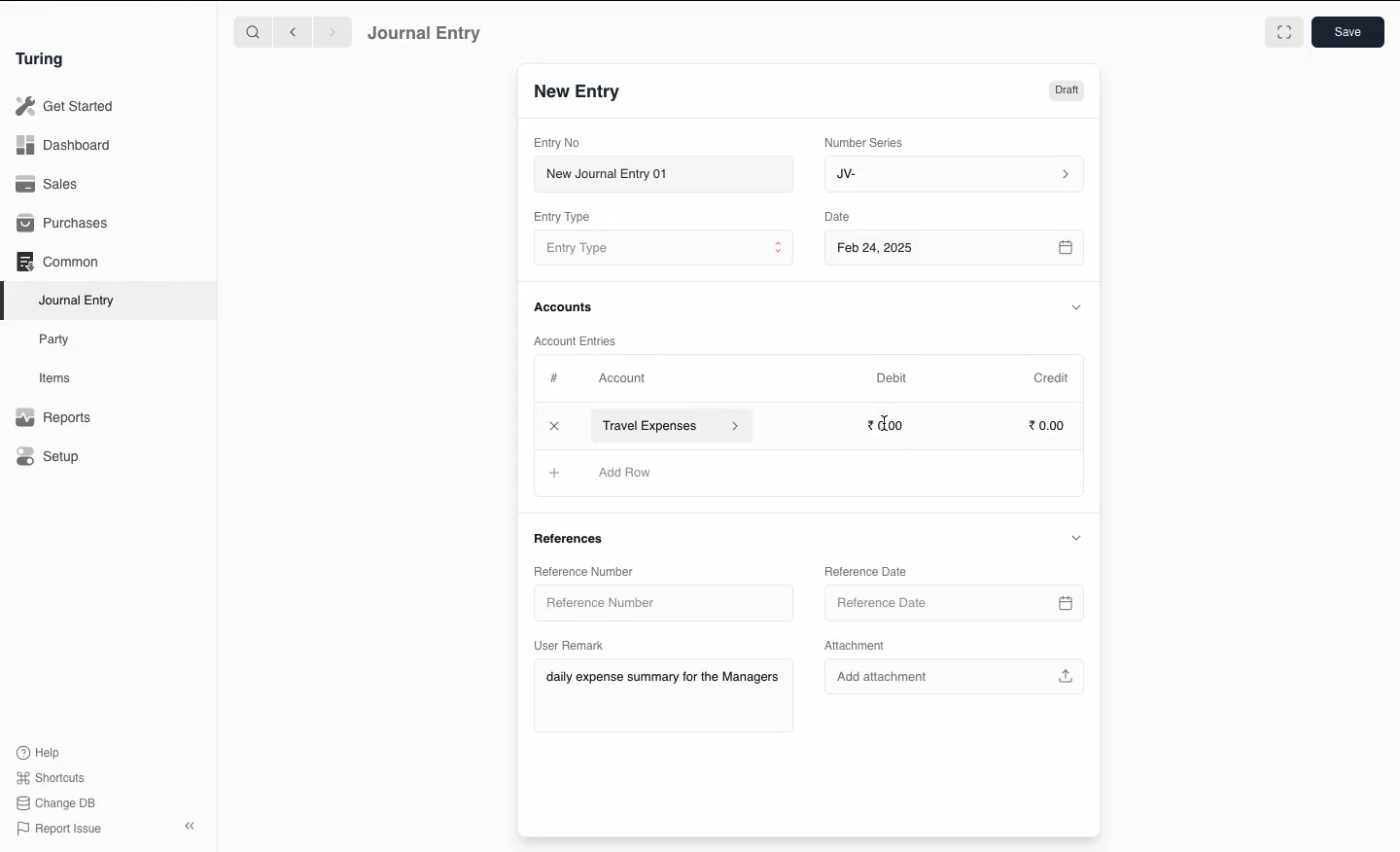  I want to click on Toggle between form and full width, so click(1284, 32).